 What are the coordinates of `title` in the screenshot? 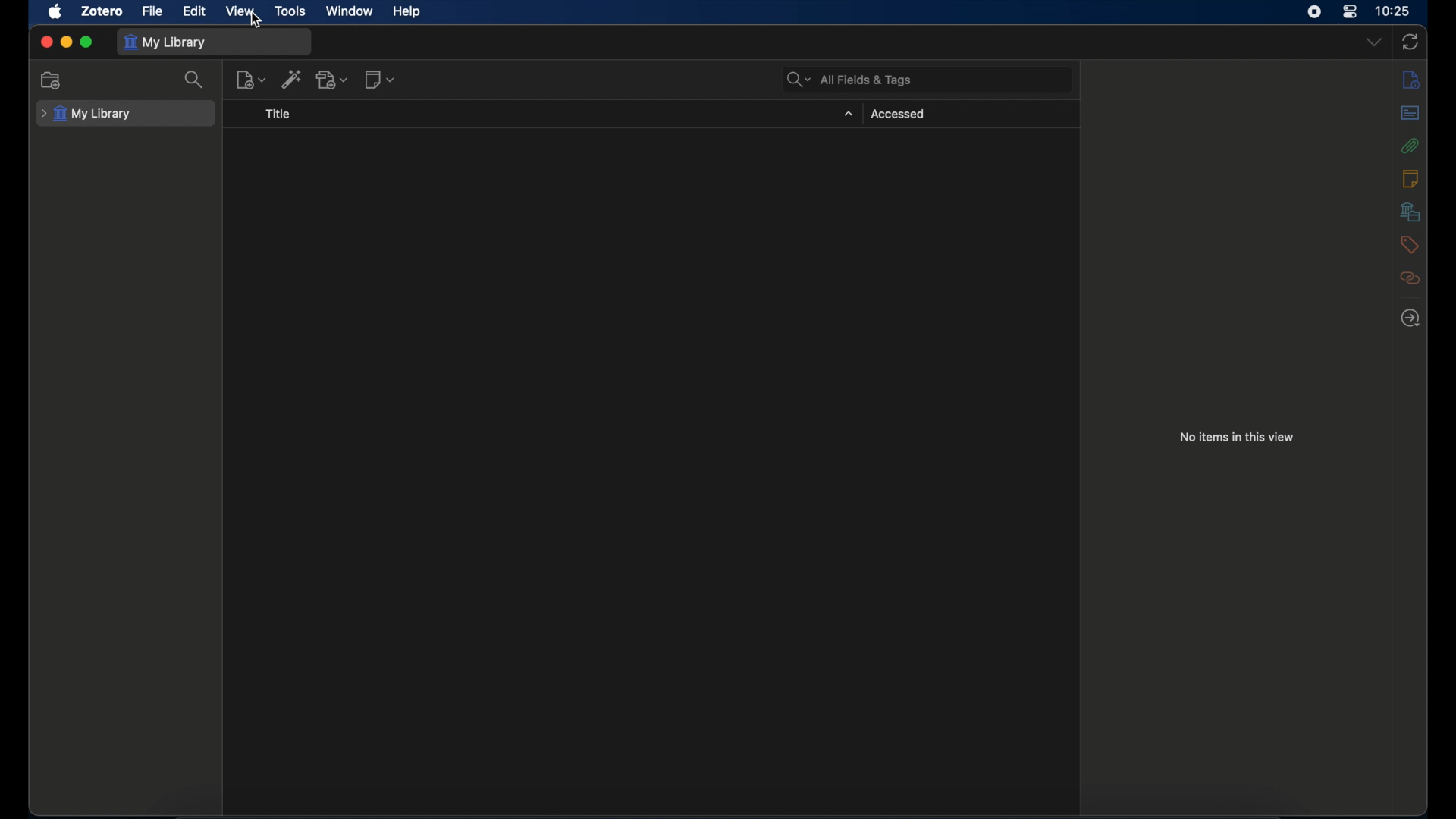 It's located at (278, 115).